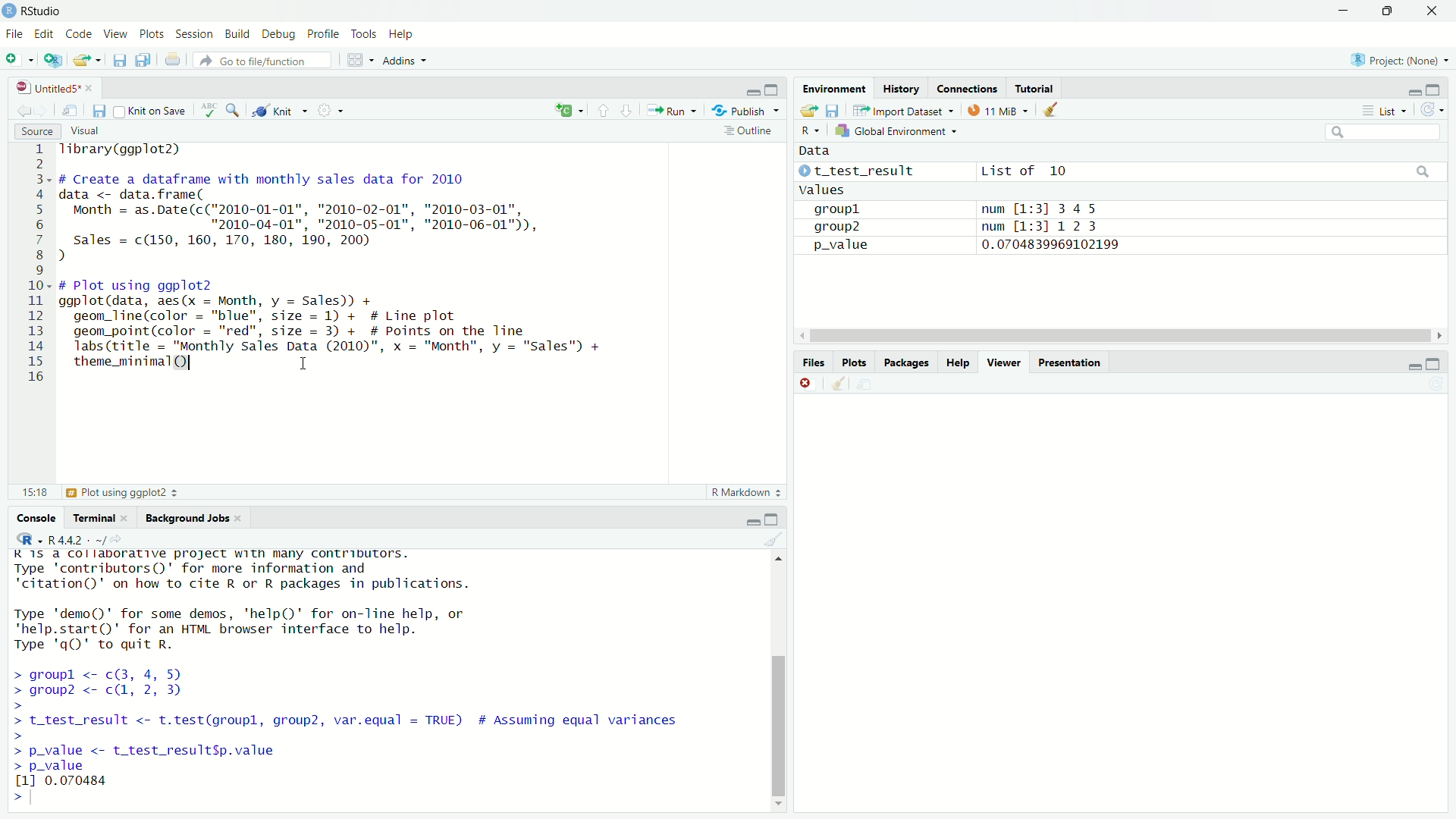 This screenshot has width=1456, height=819. Describe the element at coordinates (152, 110) in the screenshot. I see `Knit on Save` at that location.